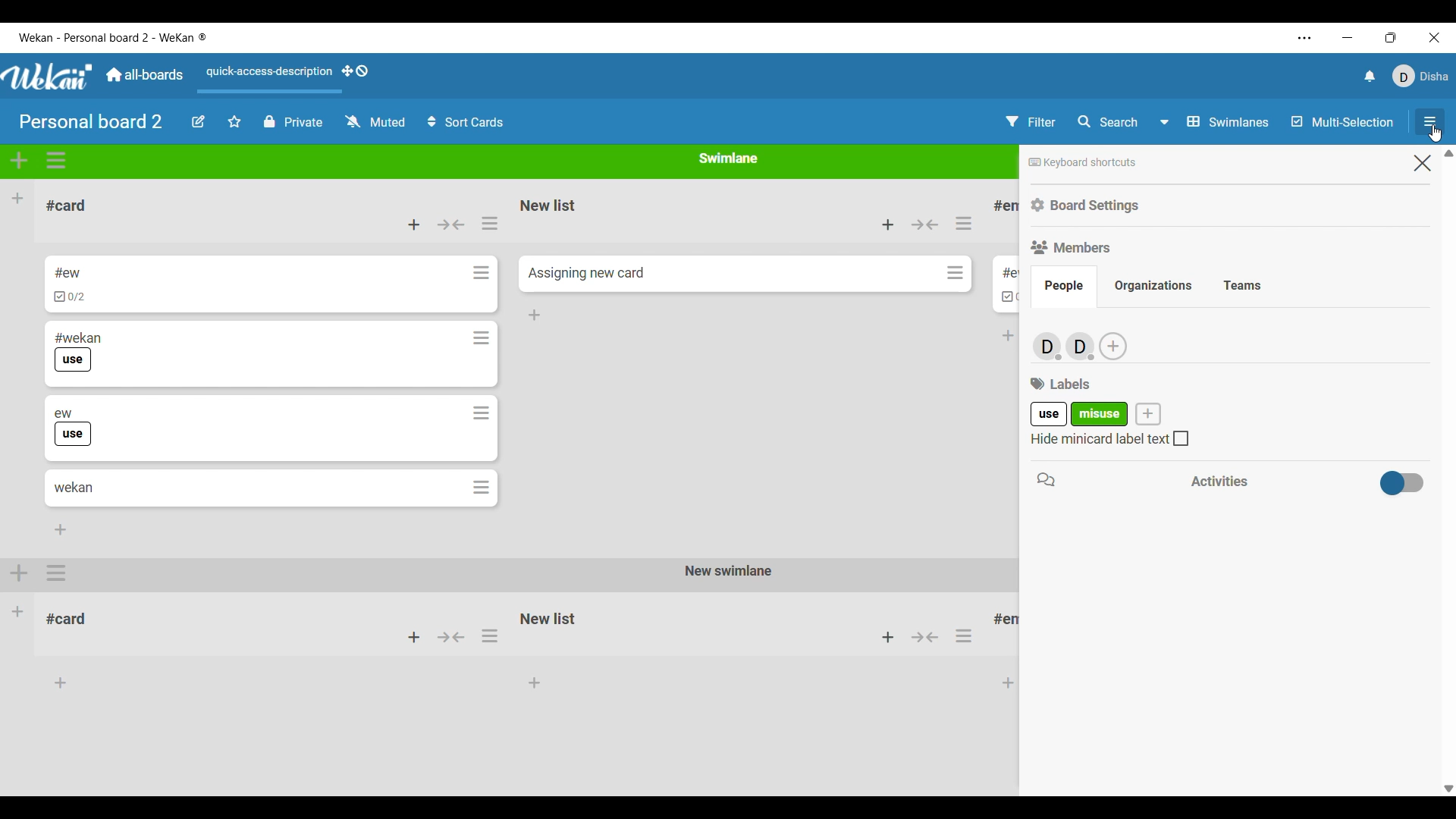 This screenshot has height=819, width=1456. What do you see at coordinates (1449, 789) in the screenshot?
I see `Quick slide to bottom` at bounding box center [1449, 789].